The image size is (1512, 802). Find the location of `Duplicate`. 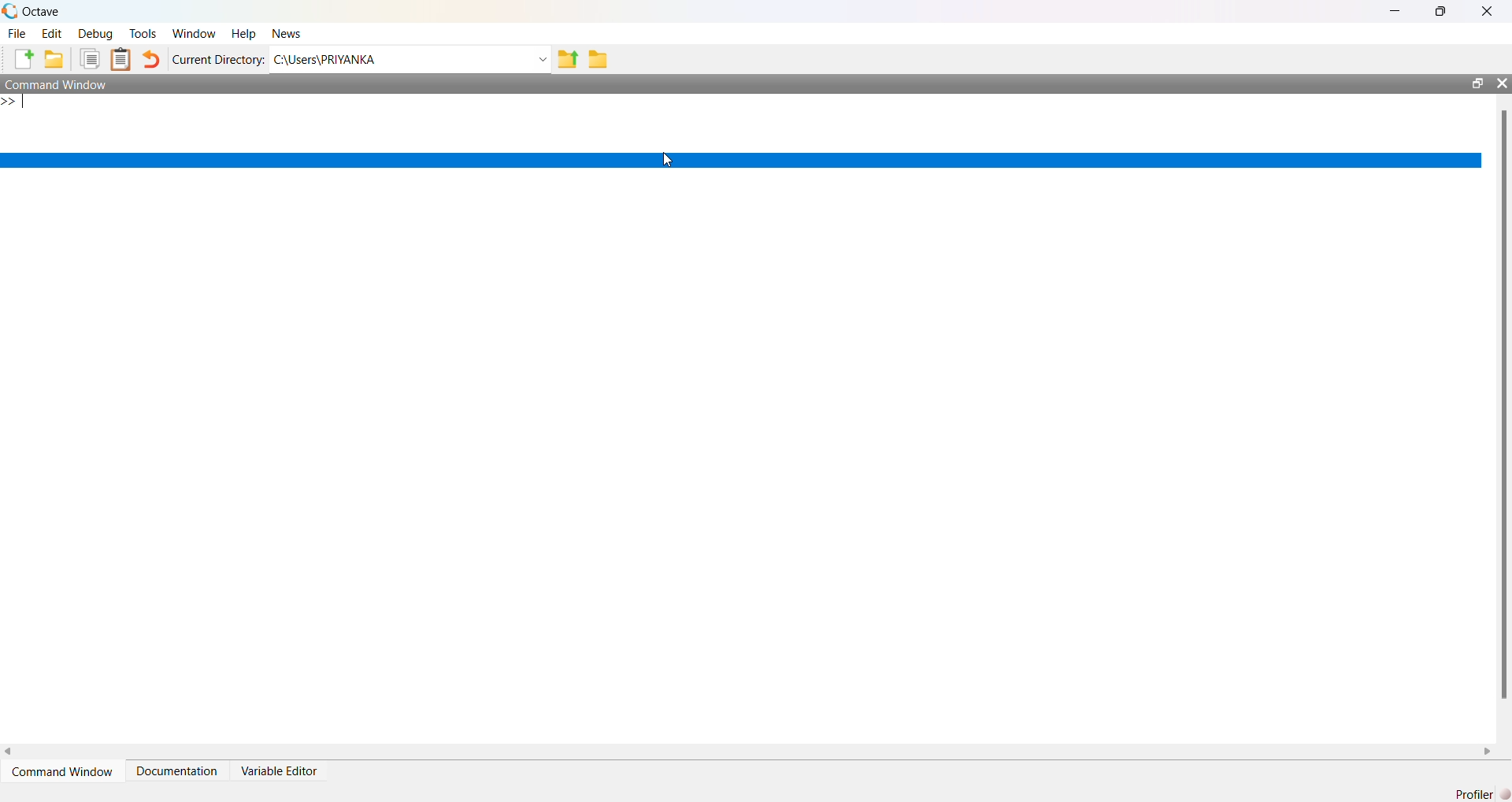

Duplicate is located at coordinates (90, 59).